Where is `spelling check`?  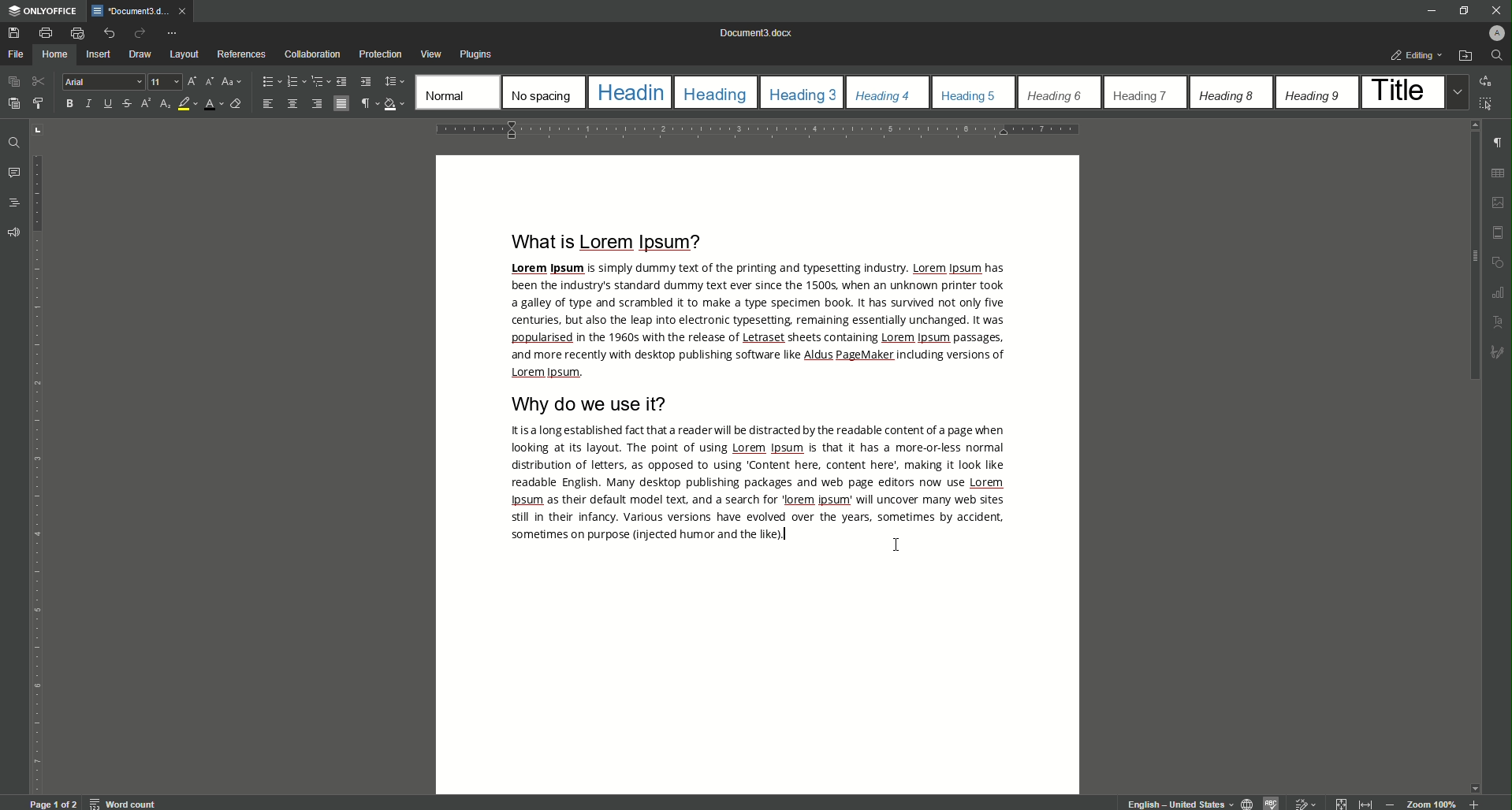
spelling check is located at coordinates (1273, 802).